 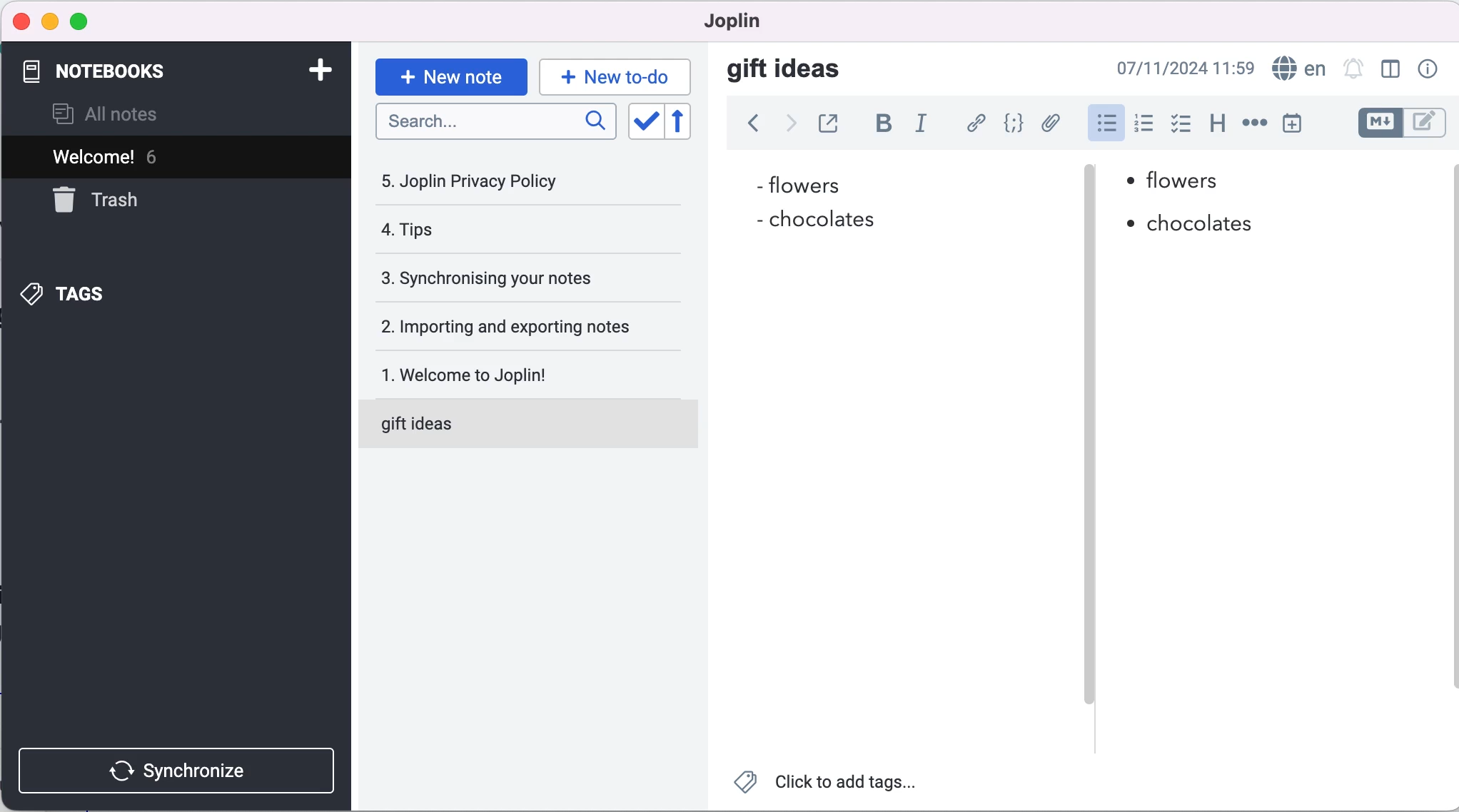 I want to click on gift ideas note, so click(x=513, y=425).